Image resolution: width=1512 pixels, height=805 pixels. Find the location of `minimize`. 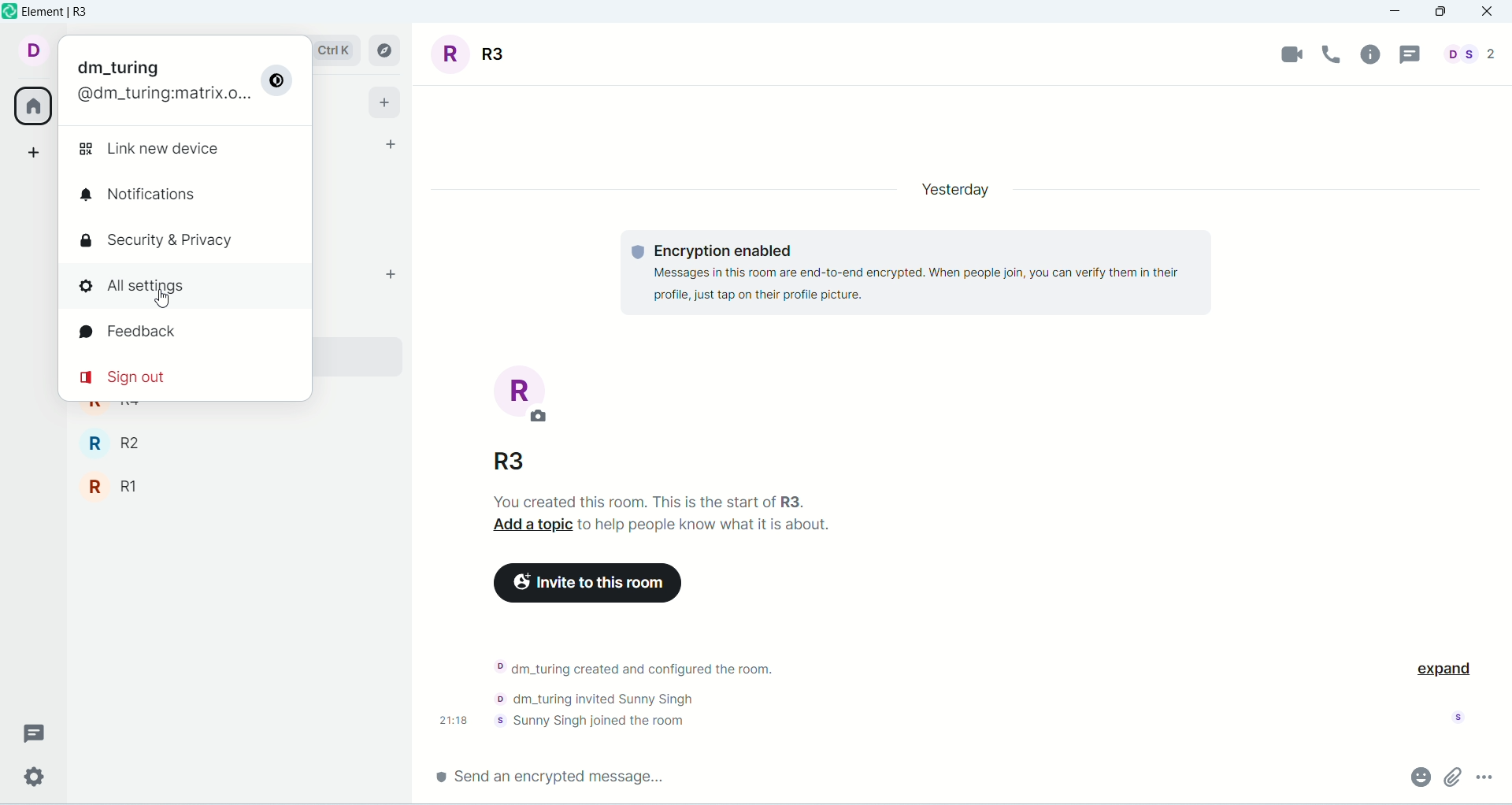

minimize is located at coordinates (1401, 12).